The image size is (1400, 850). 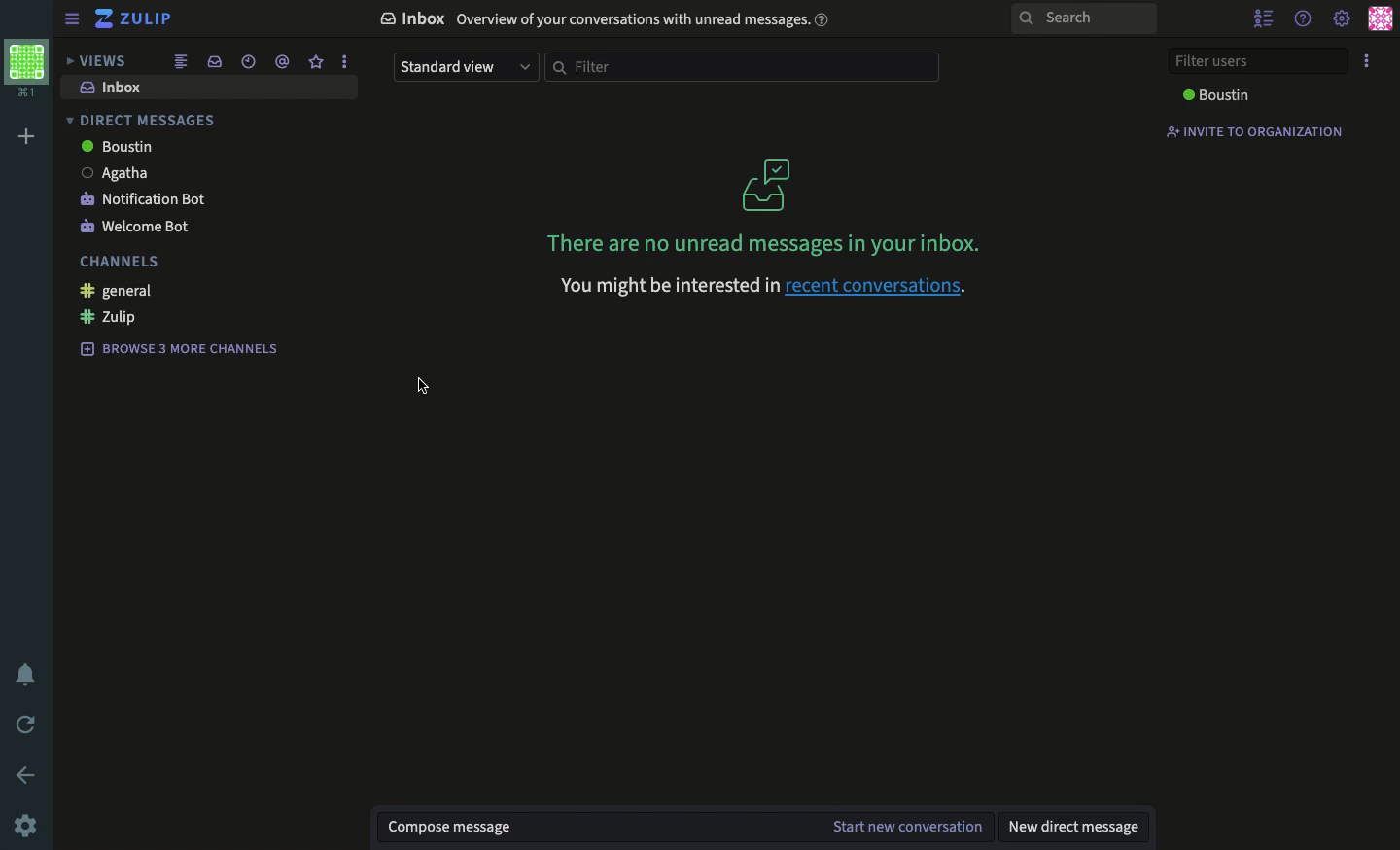 What do you see at coordinates (137, 19) in the screenshot?
I see `Zulip` at bounding box center [137, 19].